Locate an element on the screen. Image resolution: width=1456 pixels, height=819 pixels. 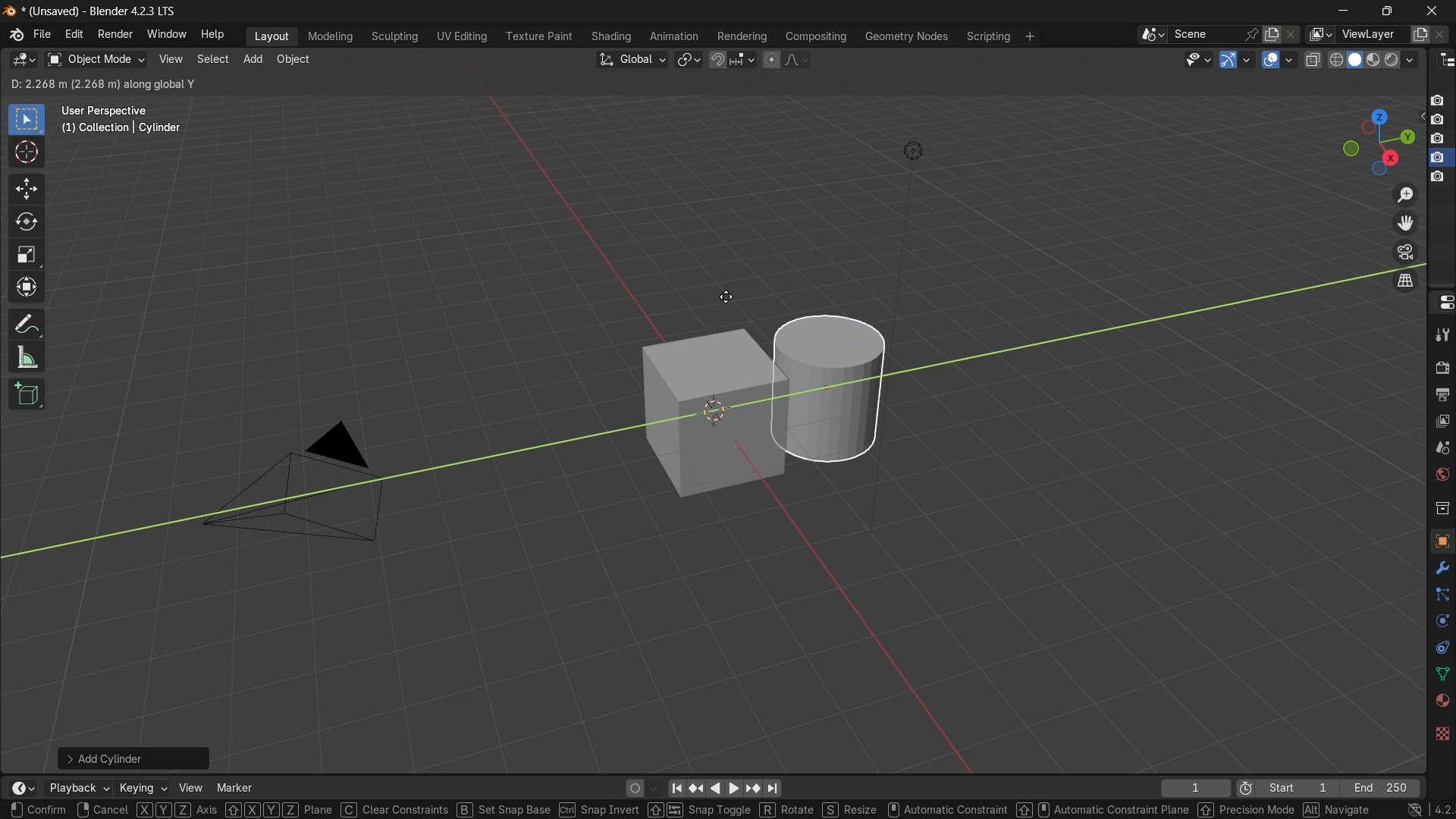
show gizmo is located at coordinates (1227, 59).